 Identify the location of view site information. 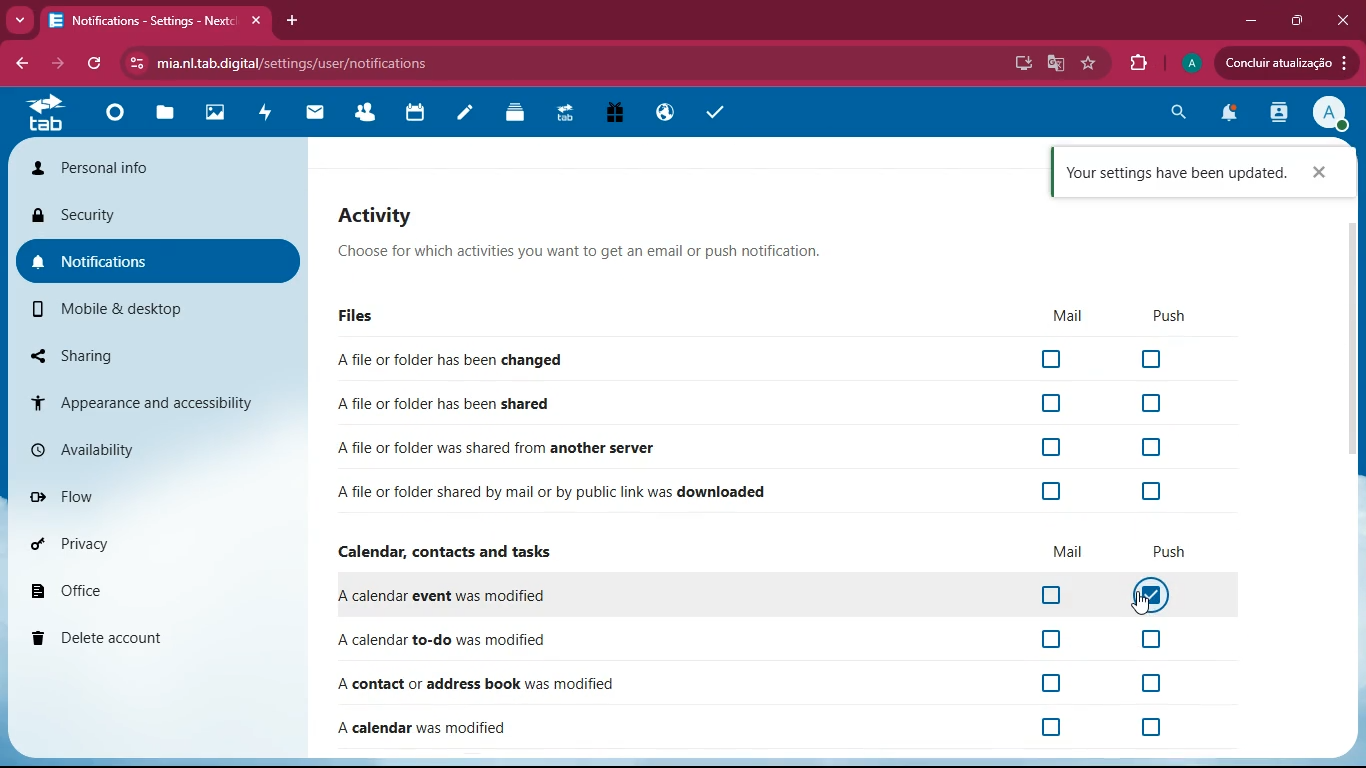
(133, 64).